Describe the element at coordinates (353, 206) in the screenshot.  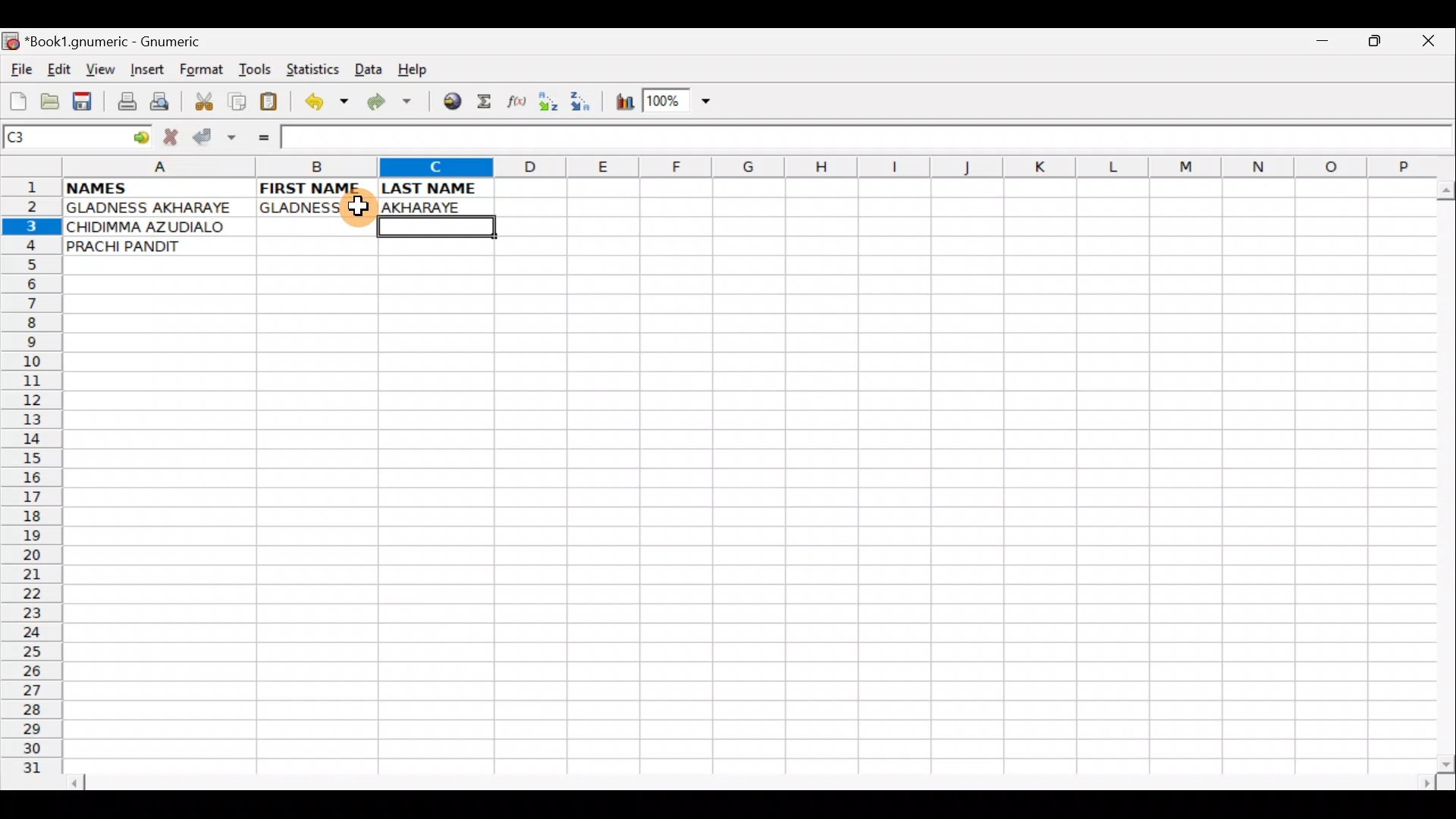
I see `Cursor on cell B2` at that location.